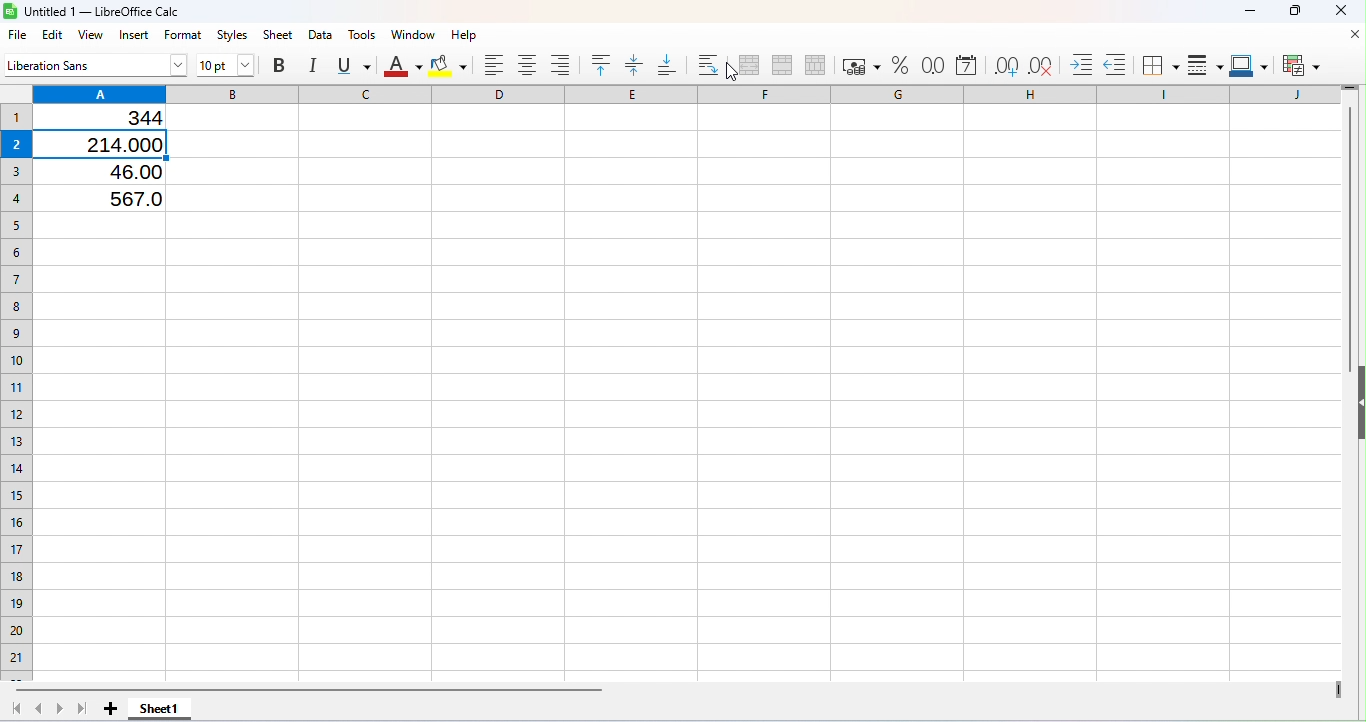 Image resolution: width=1366 pixels, height=722 pixels. What do you see at coordinates (111, 709) in the screenshot?
I see `Add new sheet` at bounding box center [111, 709].